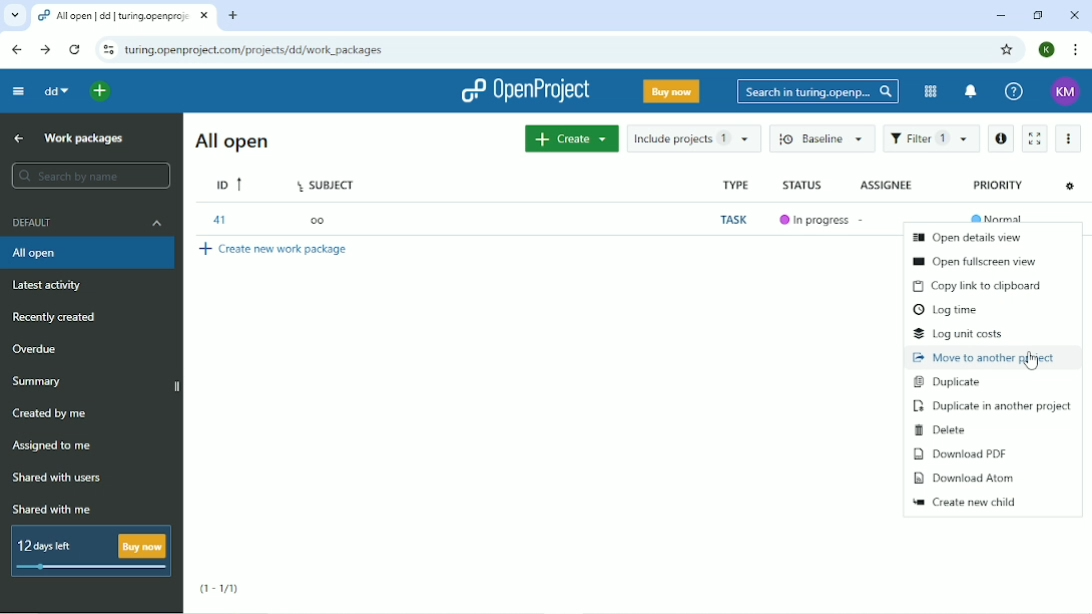 The image size is (1092, 614). I want to click on Recently created, so click(57, 316).